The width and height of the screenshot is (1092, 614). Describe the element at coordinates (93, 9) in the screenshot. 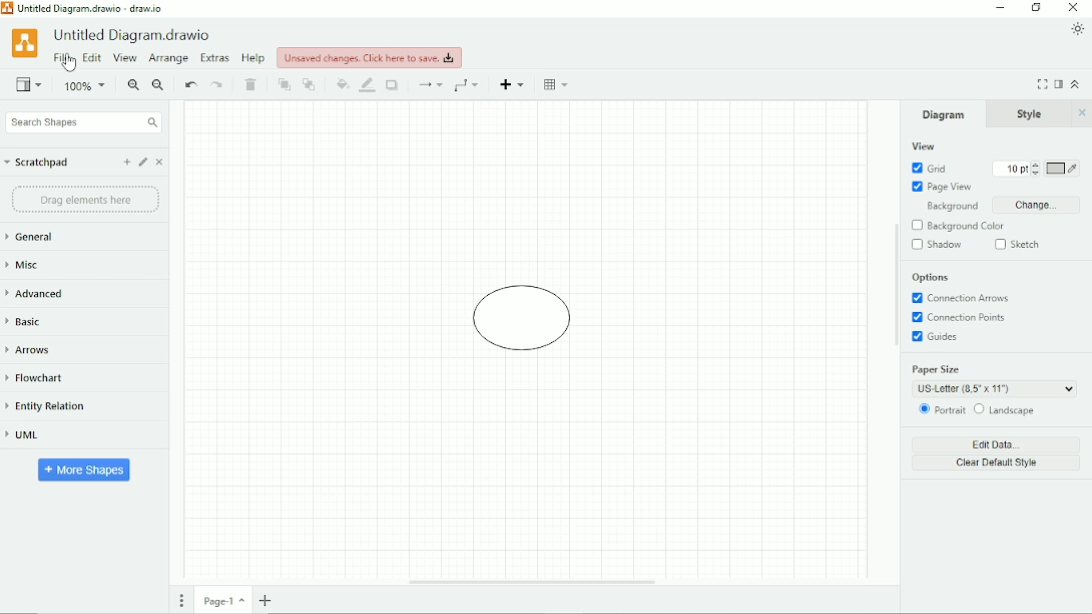

I see `Untitled Diagram.drawio - draw.io` at that location.